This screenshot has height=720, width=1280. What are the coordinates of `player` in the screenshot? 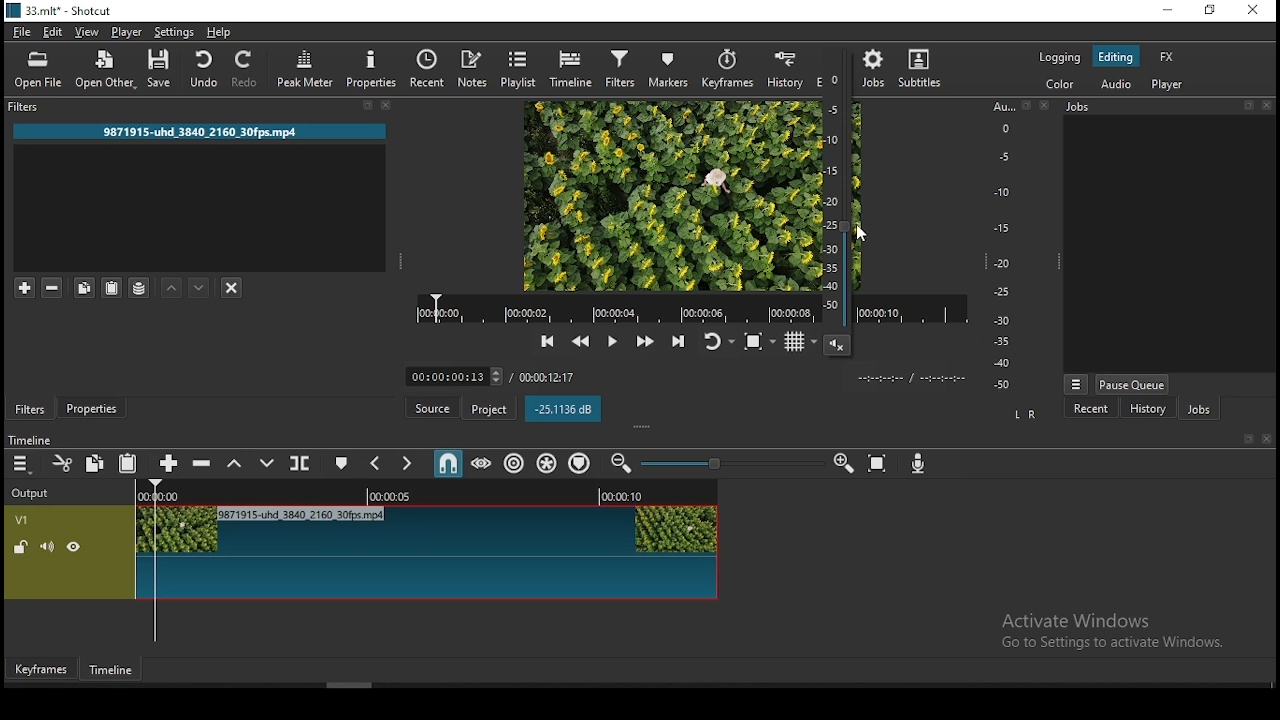 It's located at (127, 31).